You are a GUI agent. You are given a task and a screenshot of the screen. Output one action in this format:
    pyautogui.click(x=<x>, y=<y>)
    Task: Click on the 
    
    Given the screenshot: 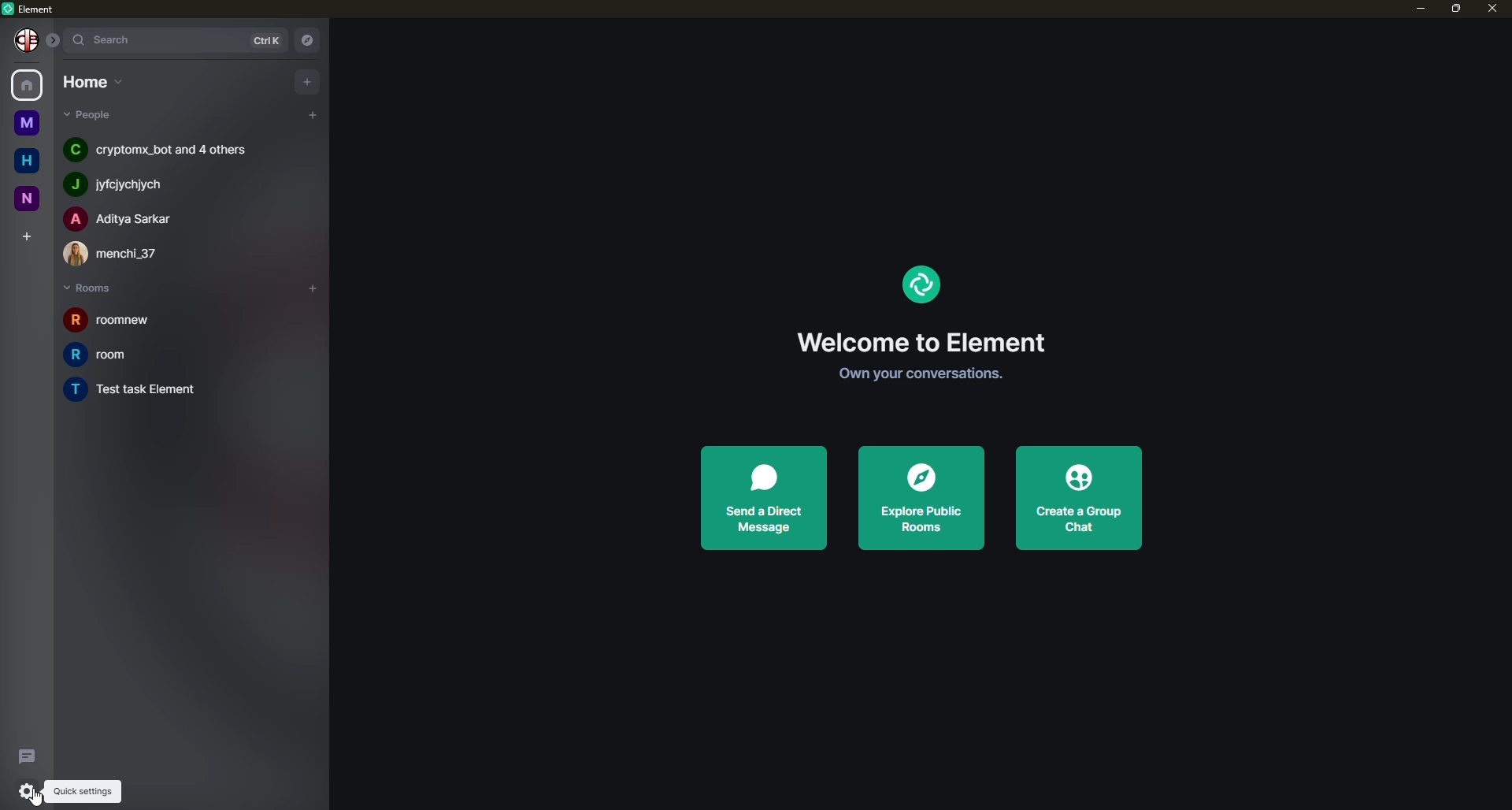 What is the action you would take?
    pyautogui.click(x=28, y=41)
    